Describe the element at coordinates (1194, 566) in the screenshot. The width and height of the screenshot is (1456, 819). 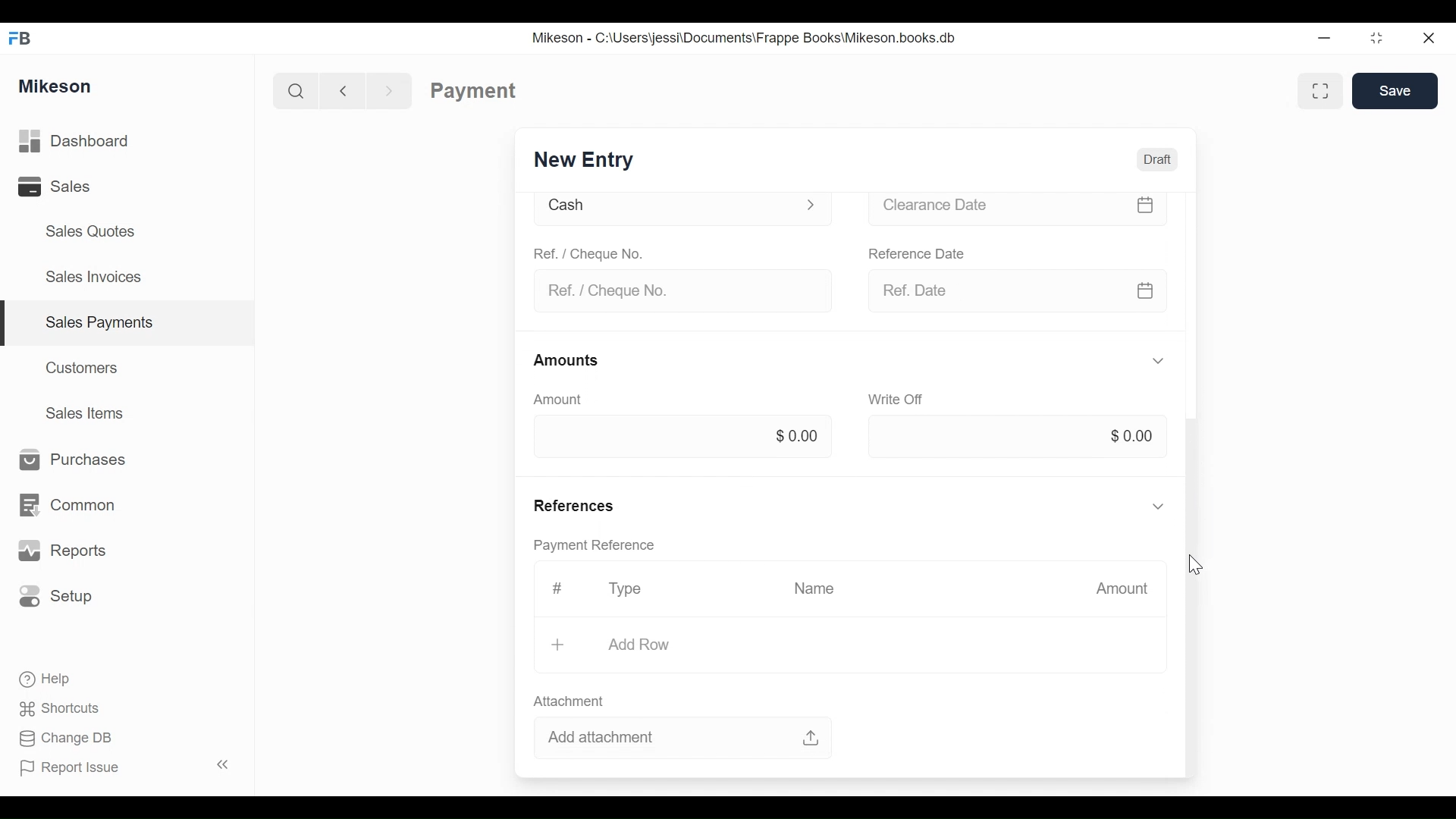
I see `cursor` at that location.